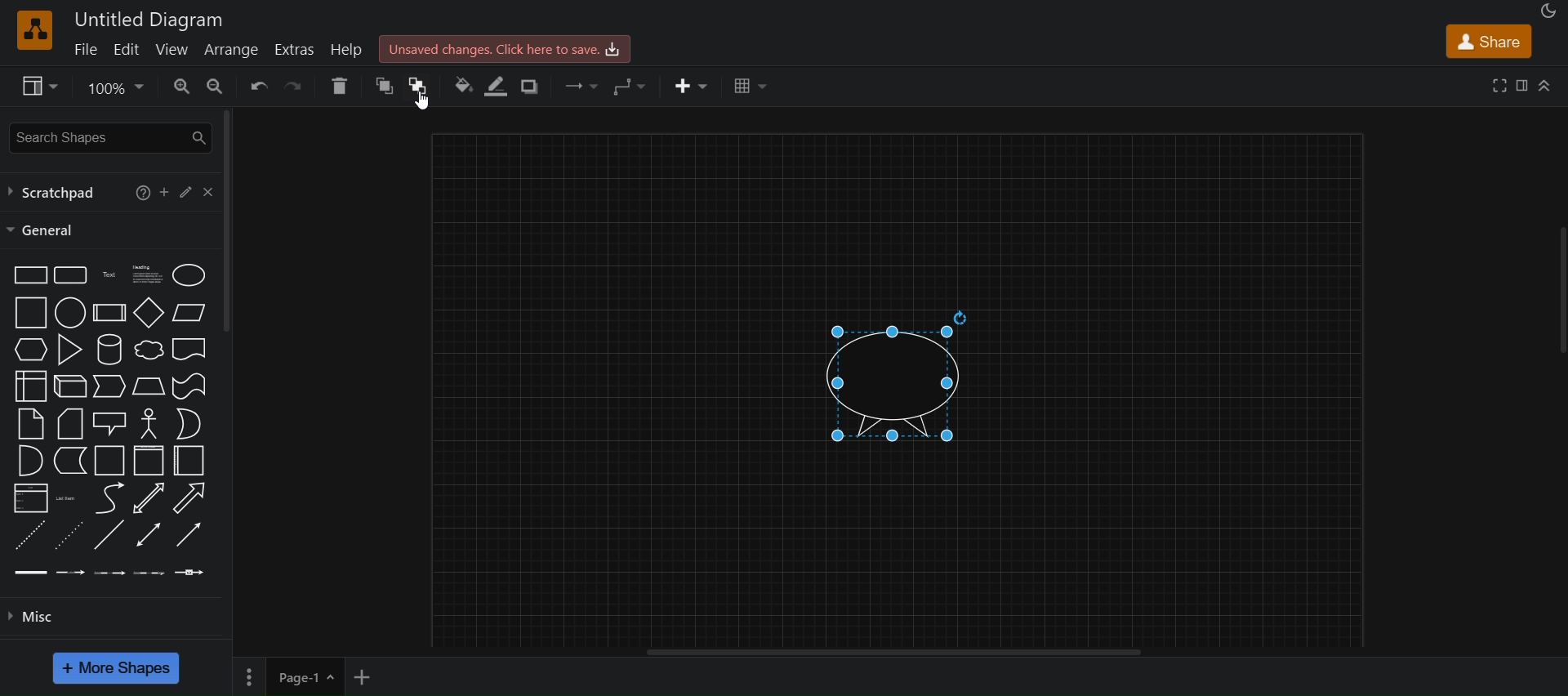  I want to click on waypoints, so click(623, 85).